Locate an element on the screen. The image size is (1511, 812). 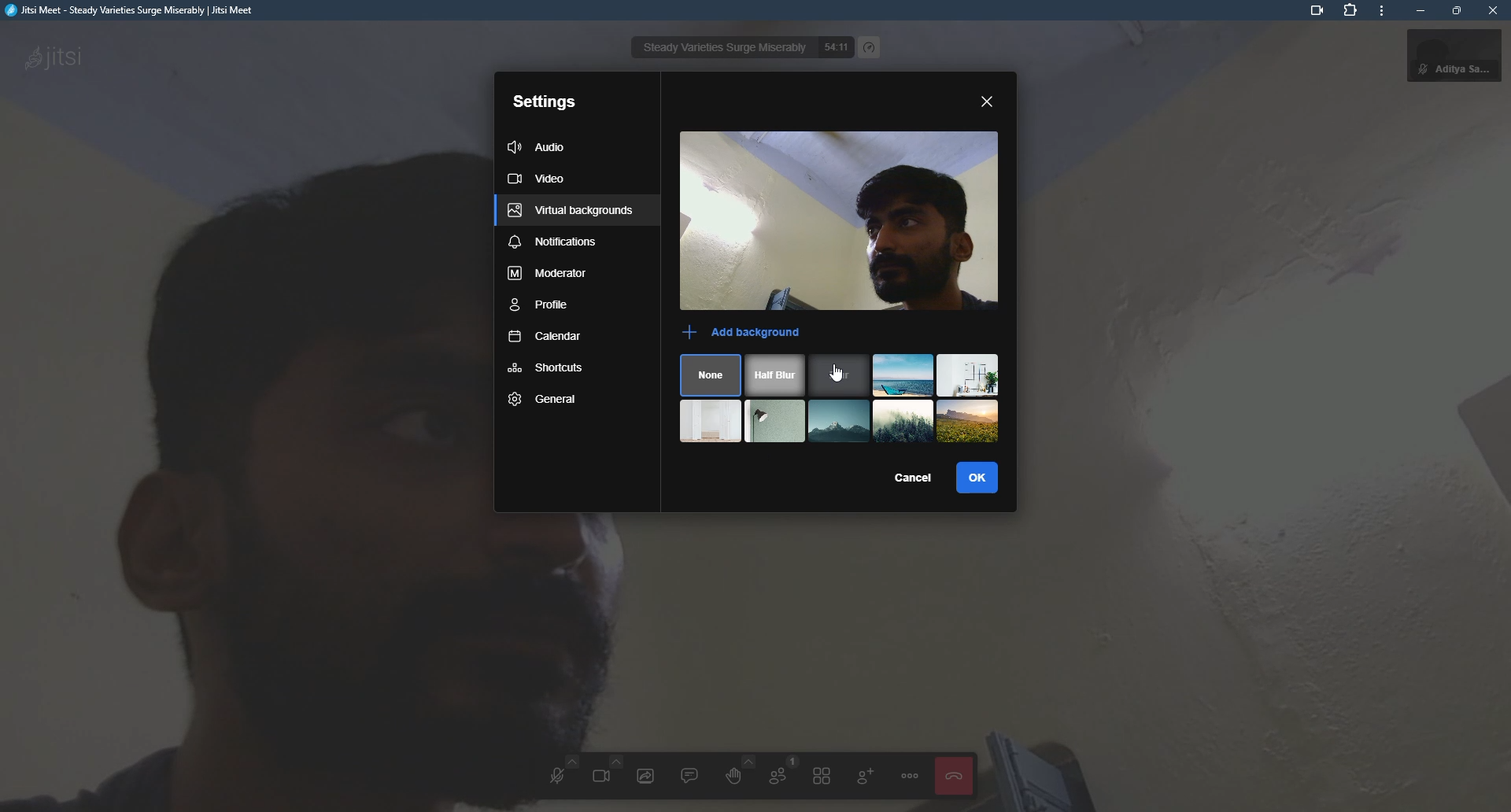
scenery is located at coordinates (968, 421).